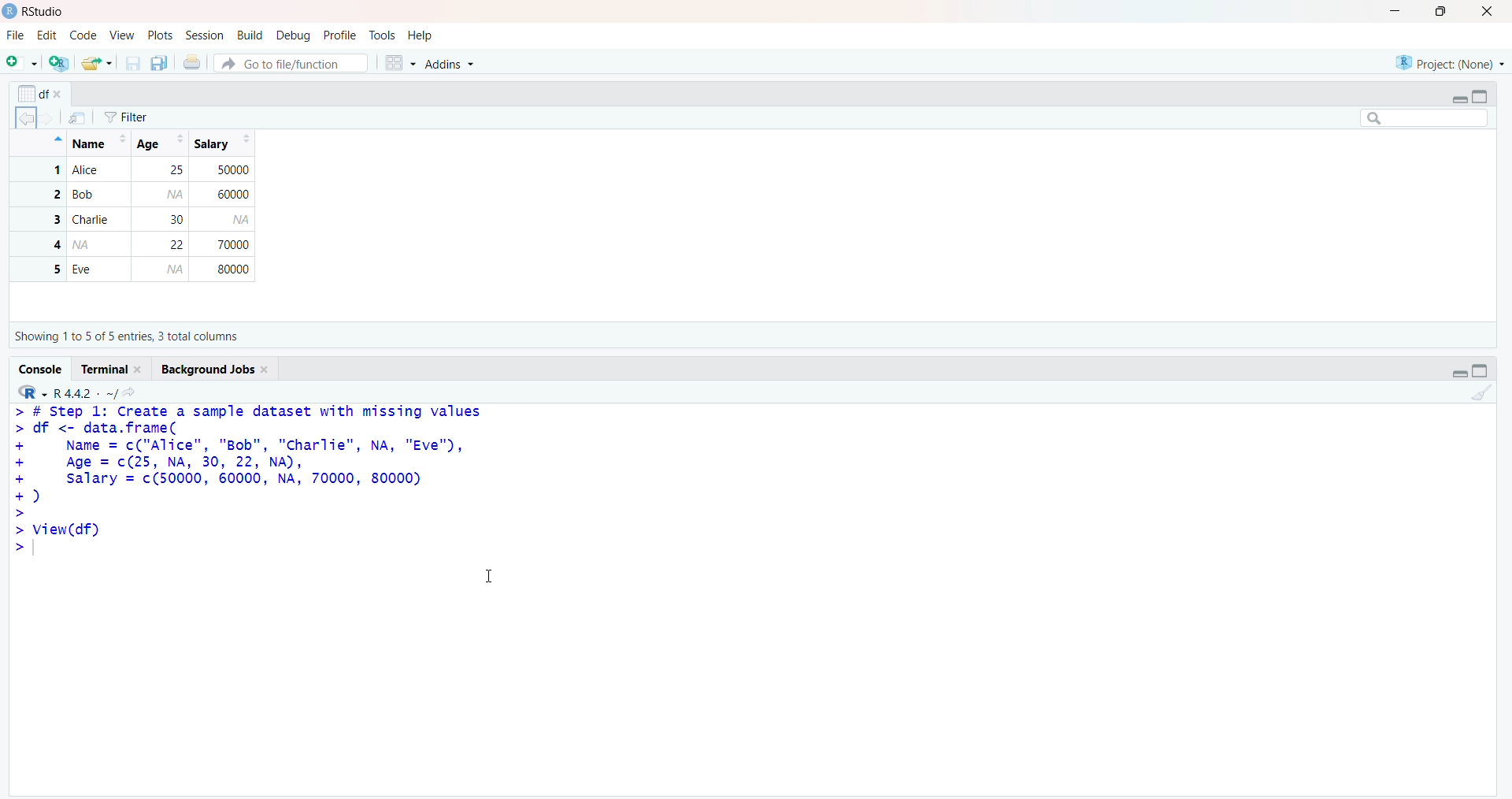 This screenshot has height=799, width=1512. Describe the element at coordinates (41, 91) in the screenshot. I see `df` at that location.